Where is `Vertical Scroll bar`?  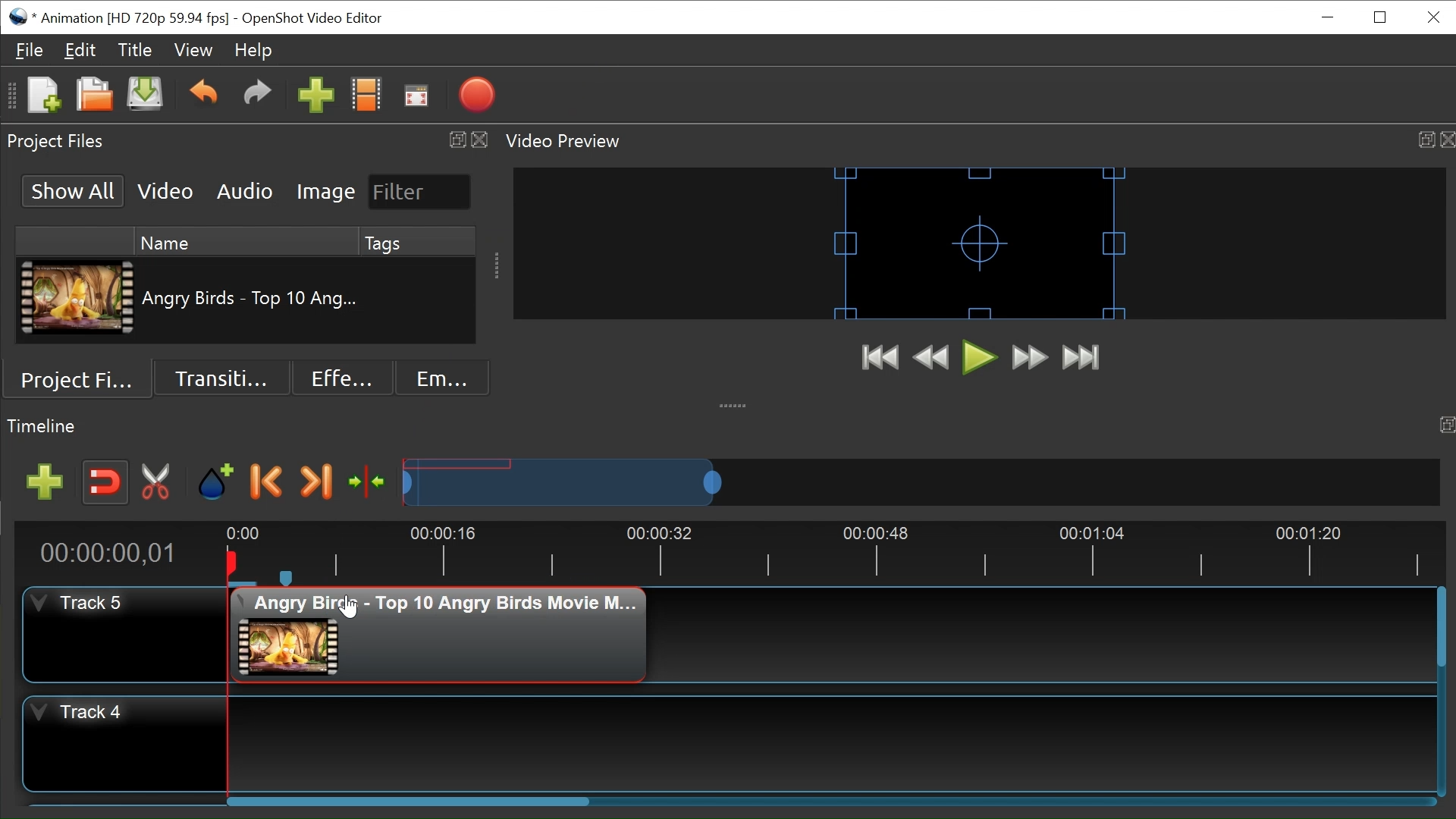
Vertical Scroll bar is located at coordinates (1441, 630).